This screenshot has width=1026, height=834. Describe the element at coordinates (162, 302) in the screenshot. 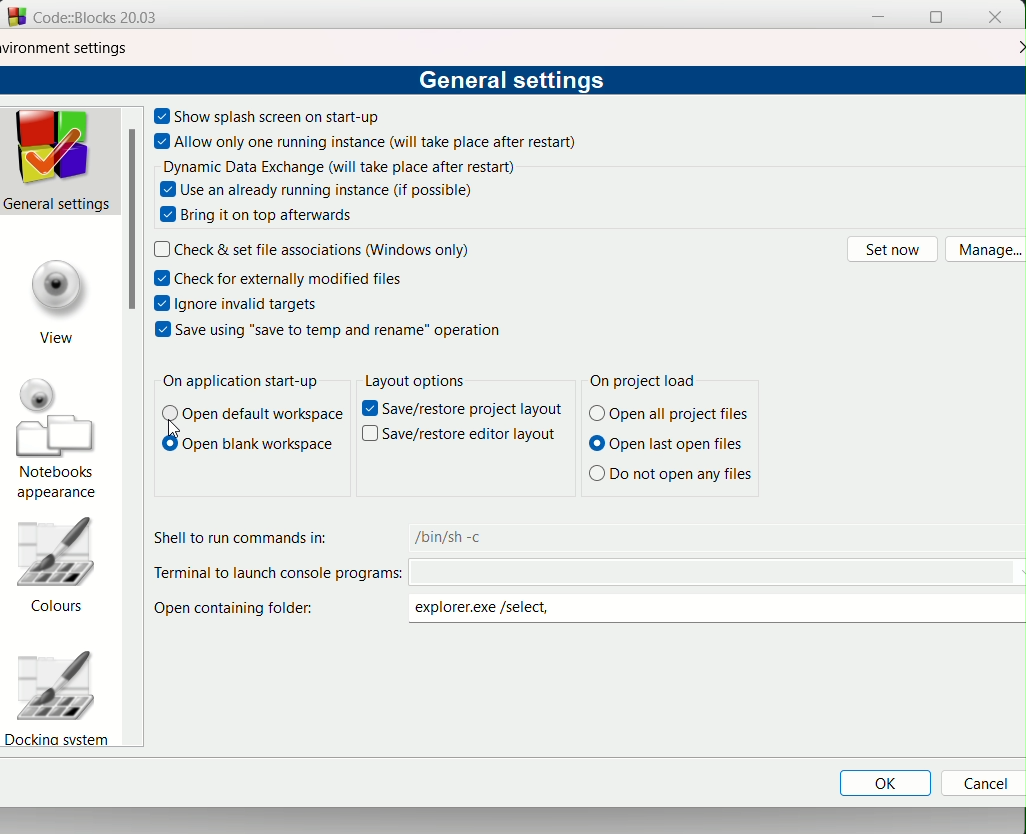

I see `checkbox` at that location.